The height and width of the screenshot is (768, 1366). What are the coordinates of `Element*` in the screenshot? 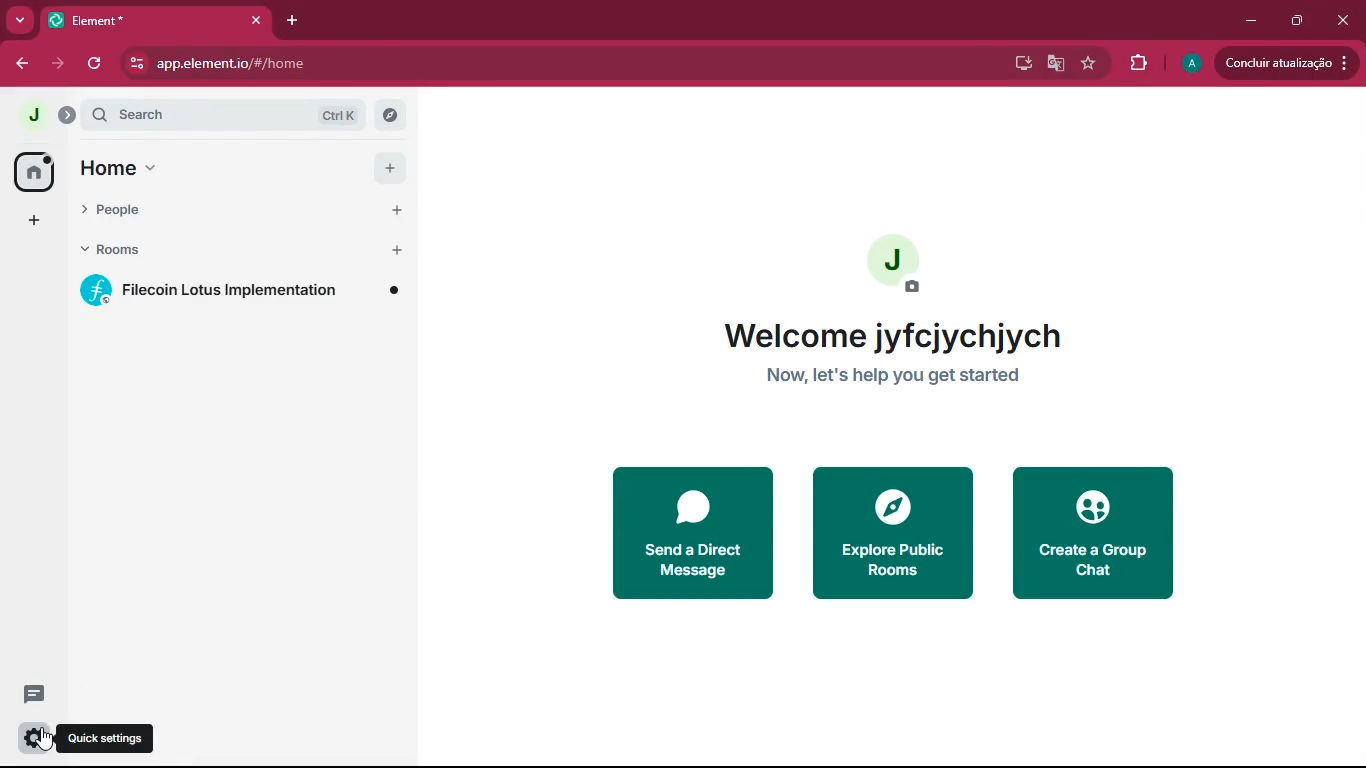 It's located at (137, 19).